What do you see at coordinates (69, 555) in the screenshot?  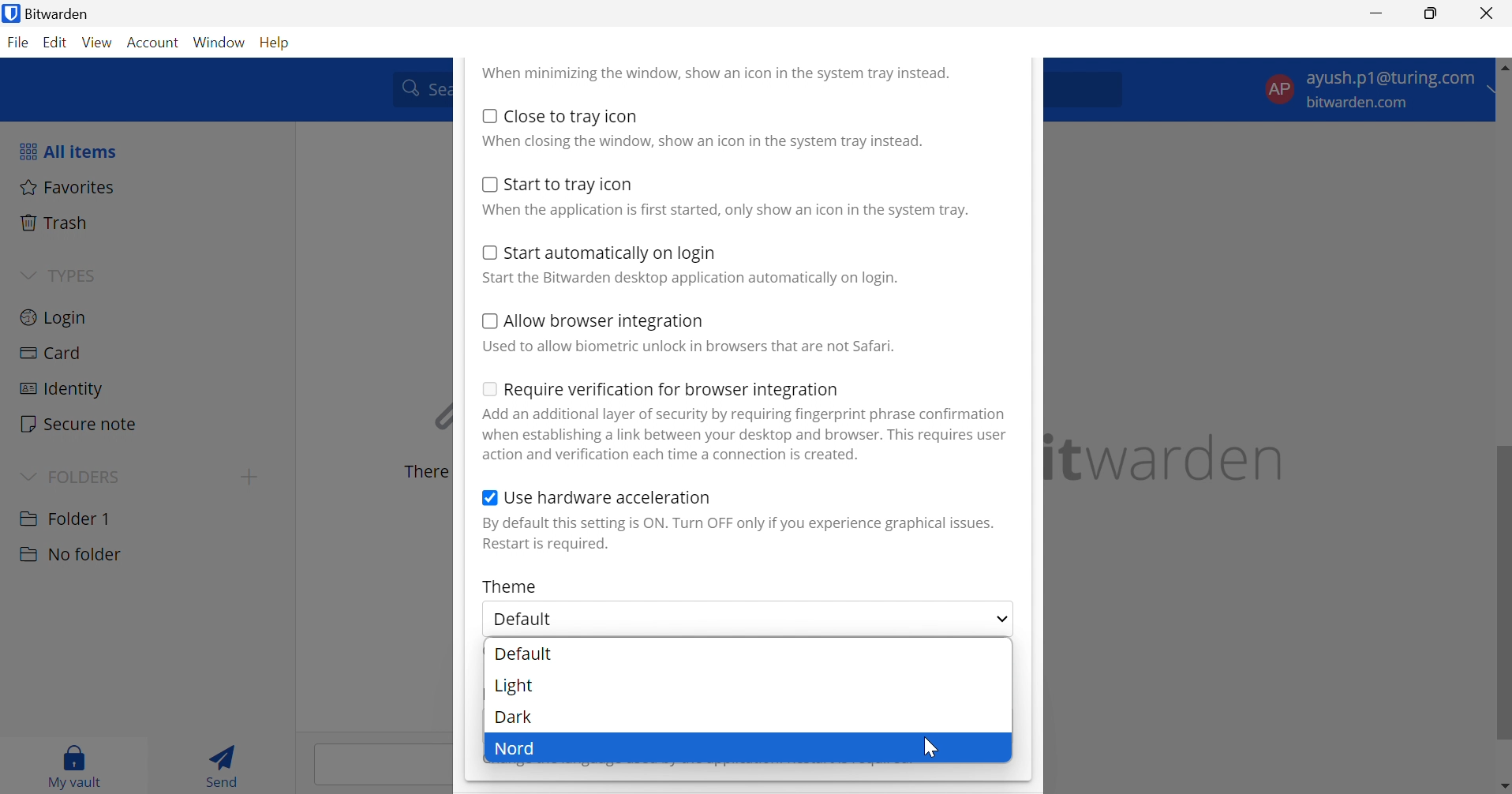 I see `No folder` at bounding box center [69, 555].